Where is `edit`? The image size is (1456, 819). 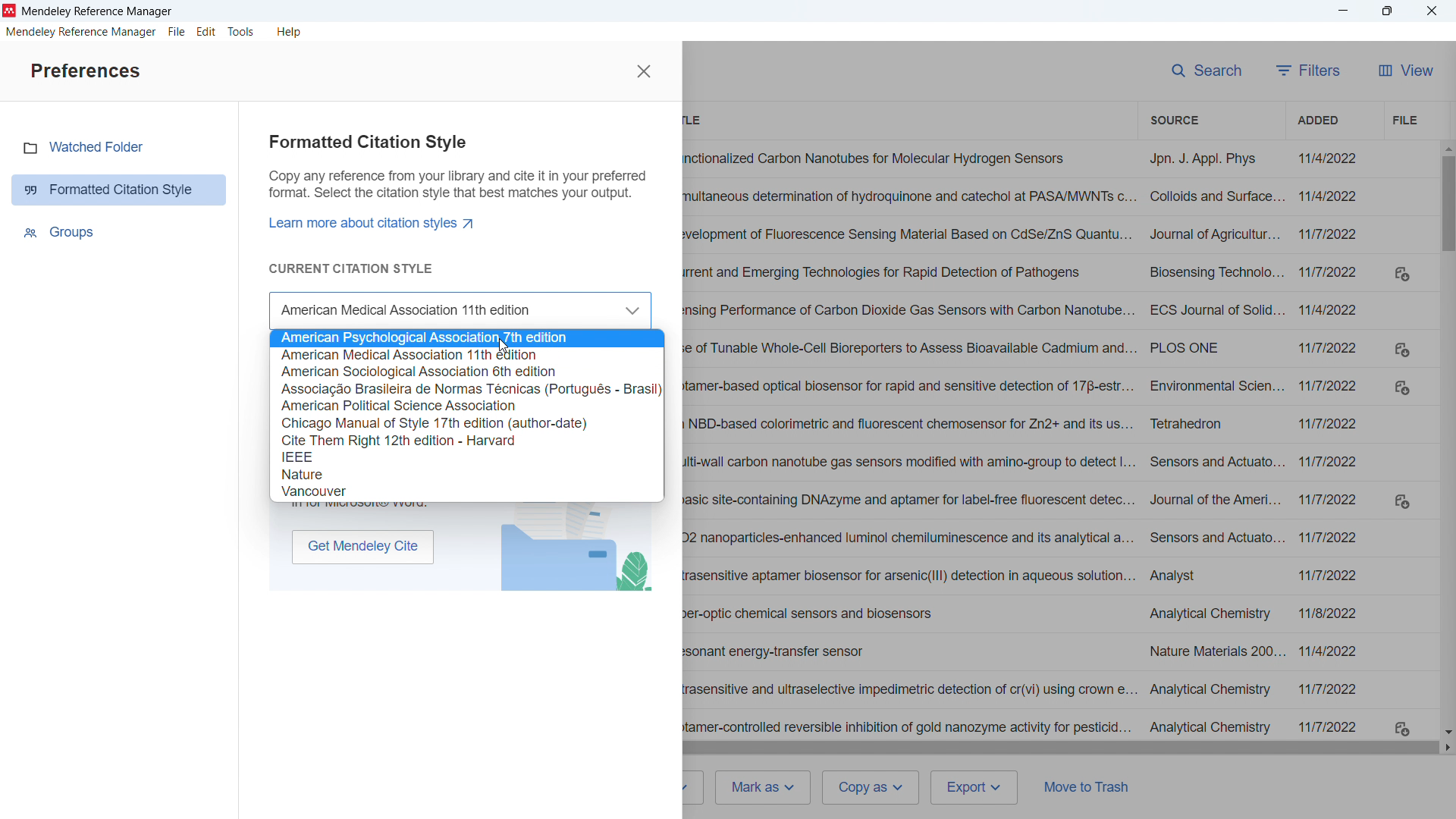
edit is located at coordinates (206, 32).